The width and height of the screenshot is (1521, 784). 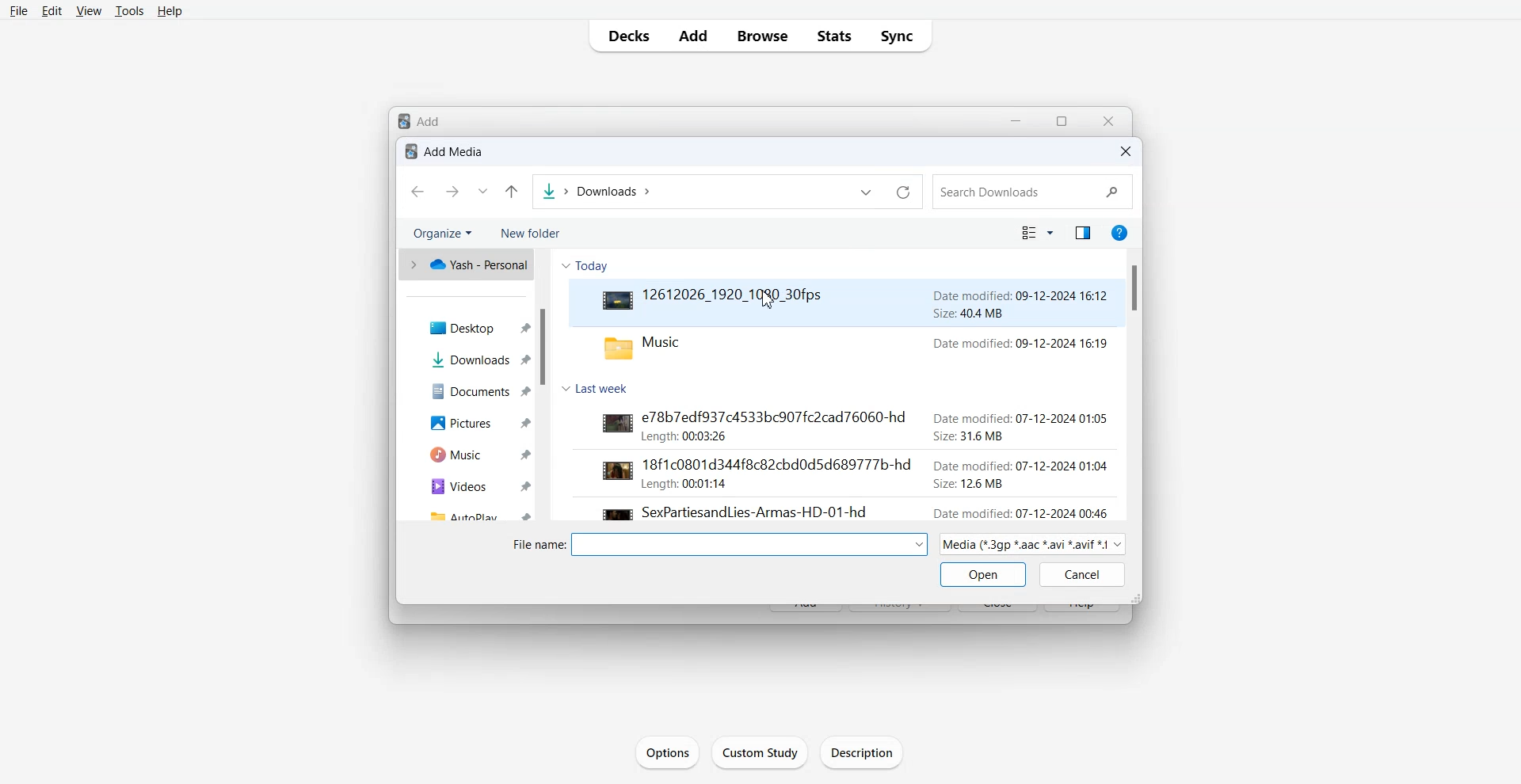 What do you see at coordinates (1024, 417) in the screenshot?
I see `date modified` at bounding box center [1024, 417].